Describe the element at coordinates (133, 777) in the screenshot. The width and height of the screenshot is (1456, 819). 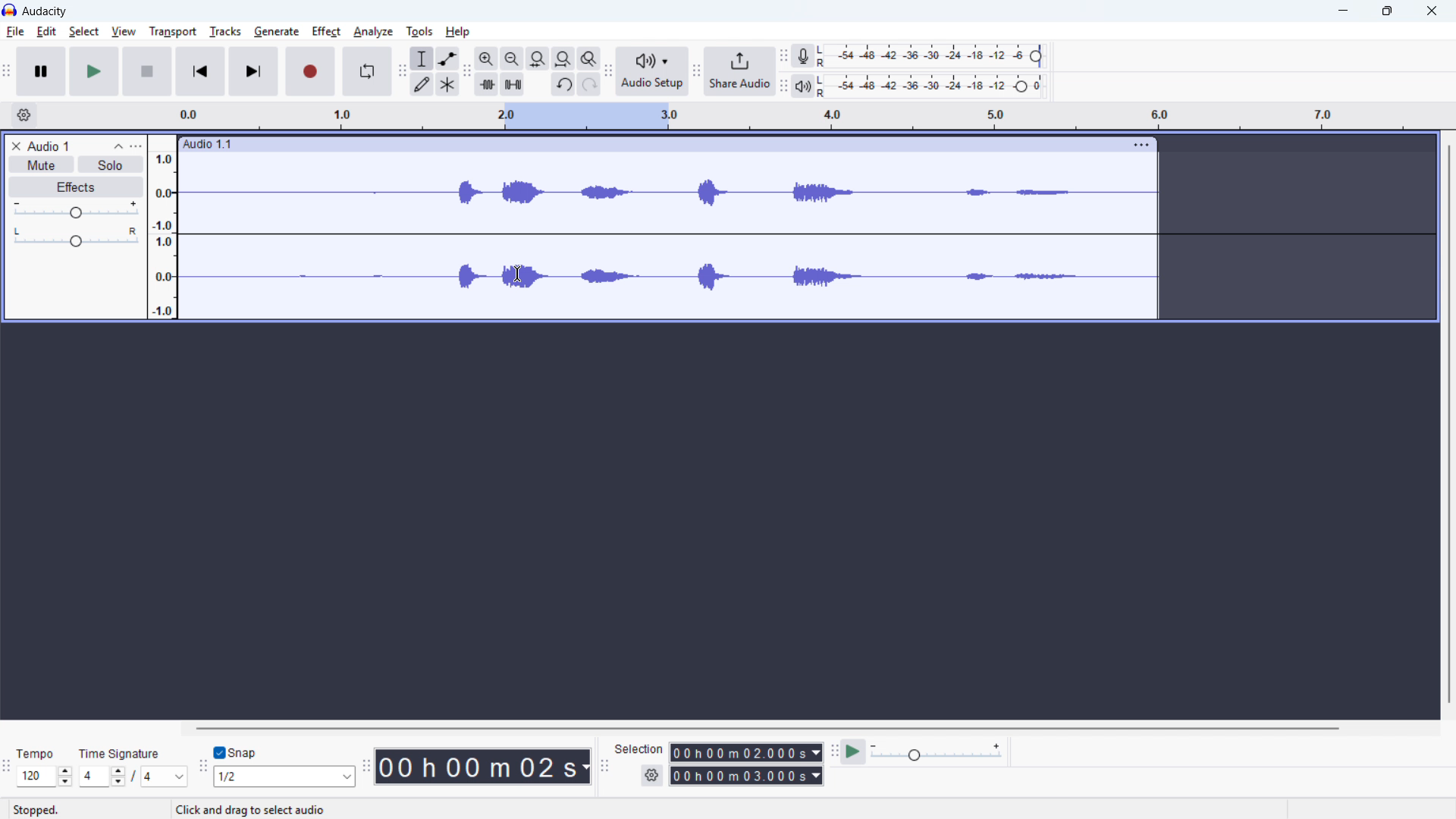
I see `Set time signature` at that location.